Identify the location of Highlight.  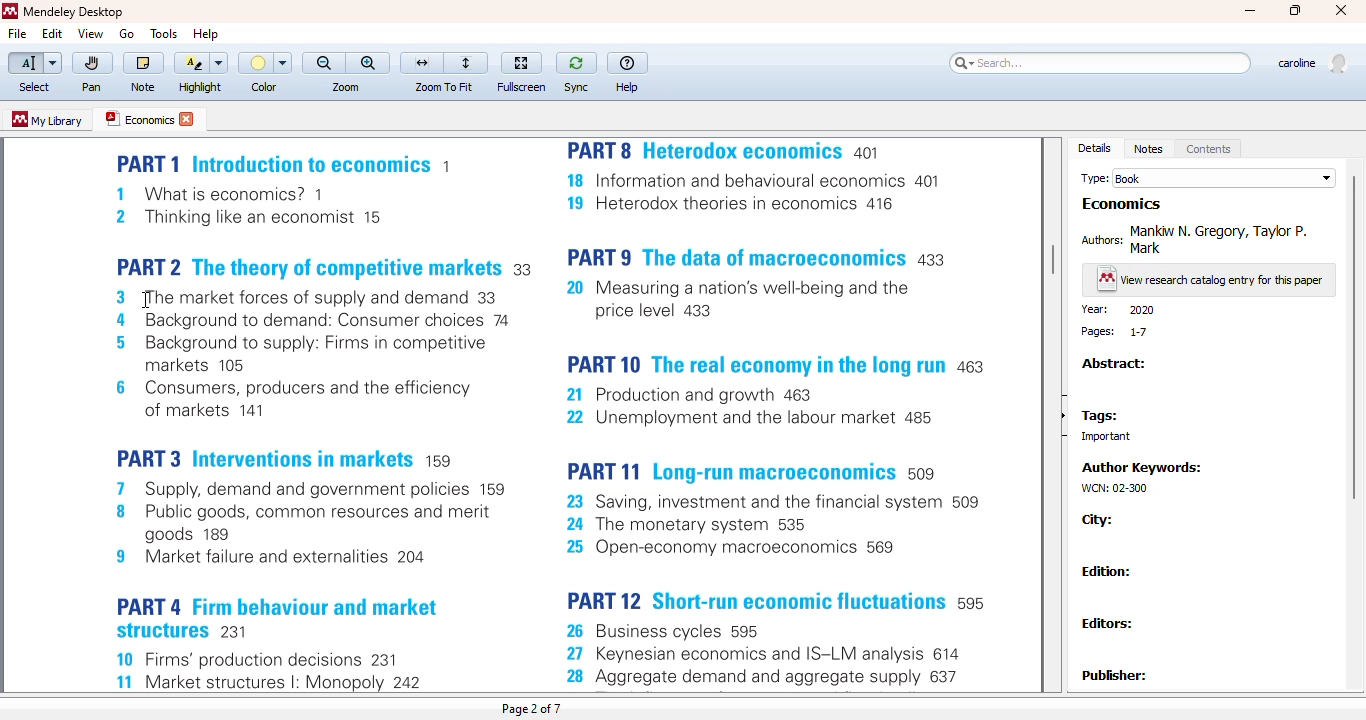
(200, 88).